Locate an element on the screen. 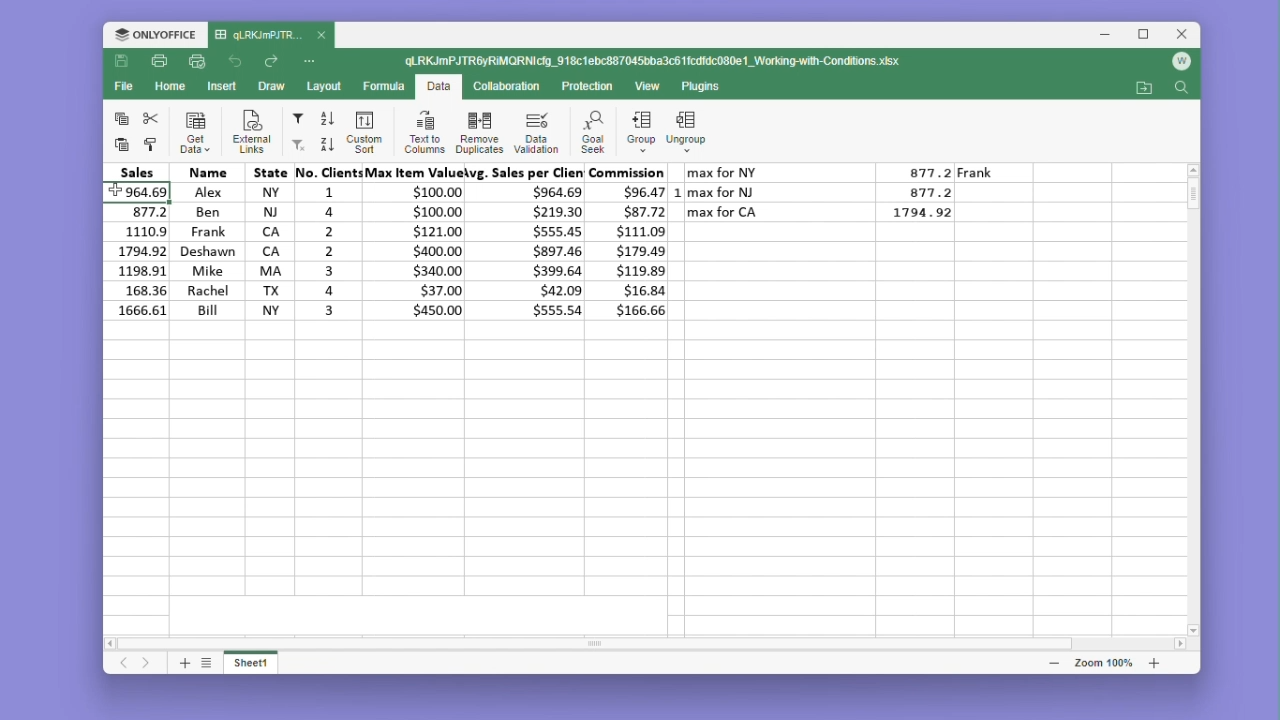   is located at coordinates (647, 86).